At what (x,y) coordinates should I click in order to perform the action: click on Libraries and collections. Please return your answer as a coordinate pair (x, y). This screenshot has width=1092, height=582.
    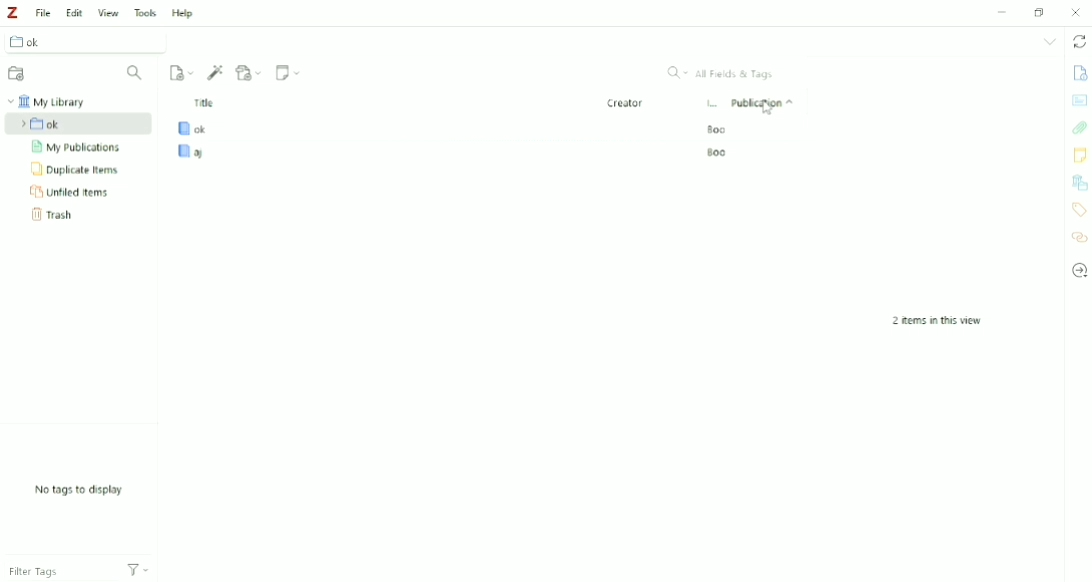
    Looking at the image, I should click on (1080, 182).